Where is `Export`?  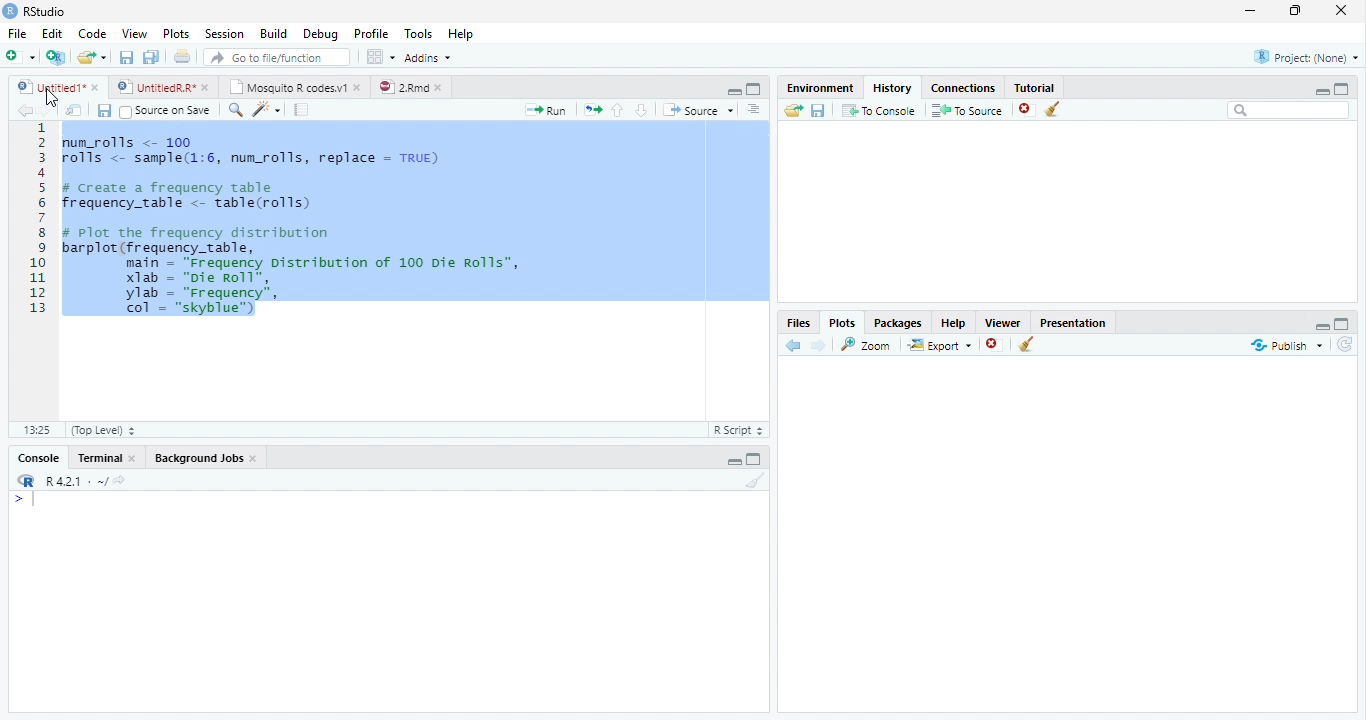
Export is located at coordinates (939, 346).